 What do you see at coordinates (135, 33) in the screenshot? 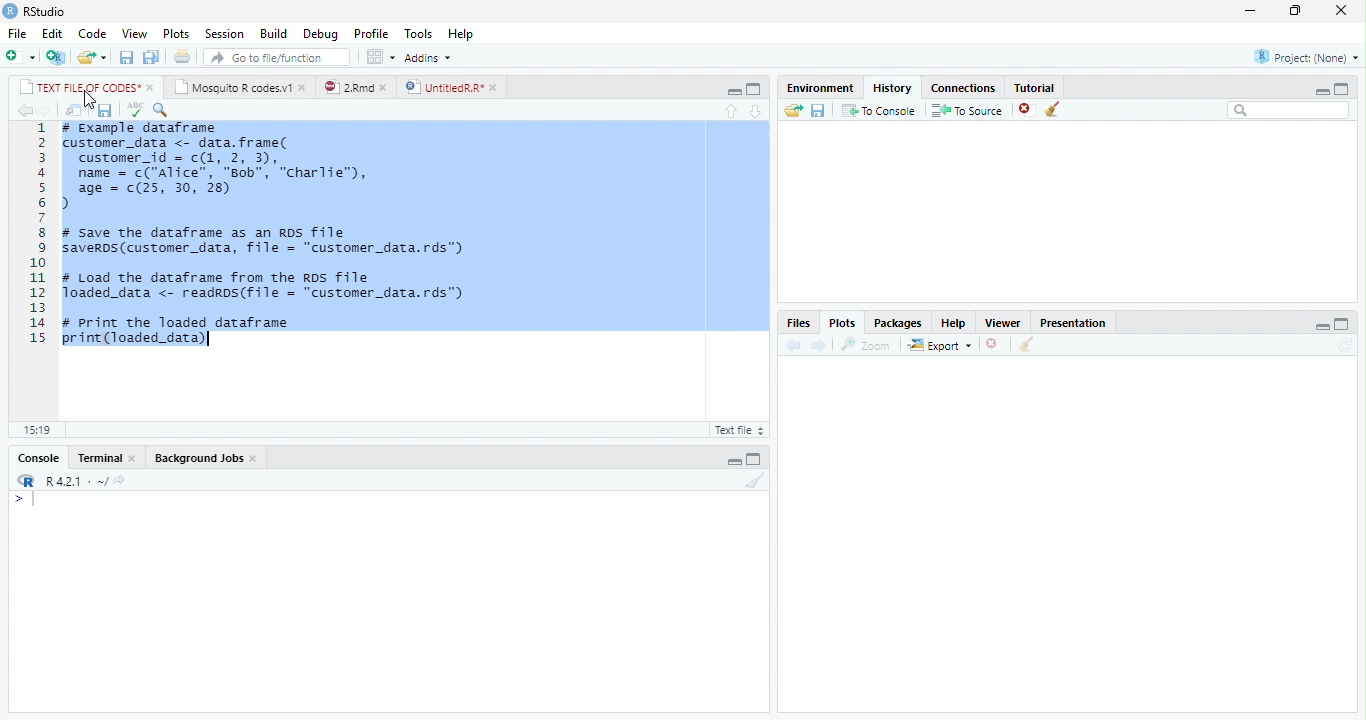
I see `View` at bounding box center [135, 33].